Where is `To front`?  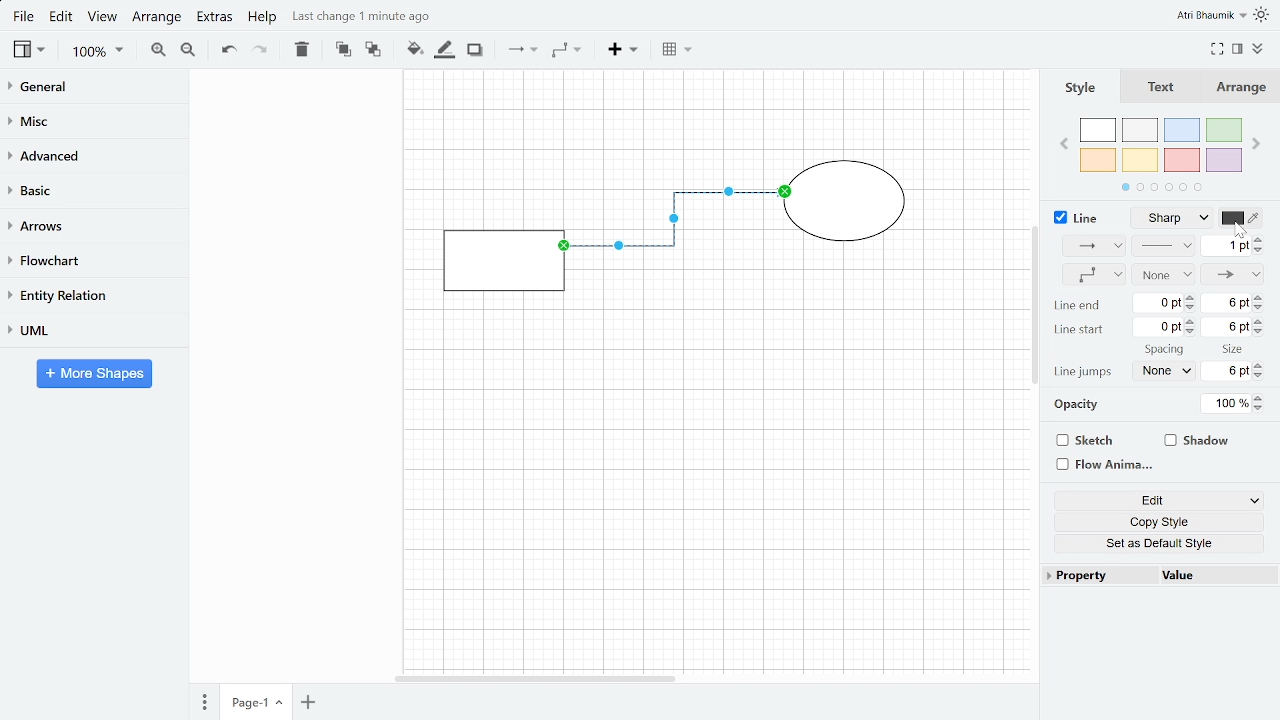 To front is located at coordinates (344, 50).